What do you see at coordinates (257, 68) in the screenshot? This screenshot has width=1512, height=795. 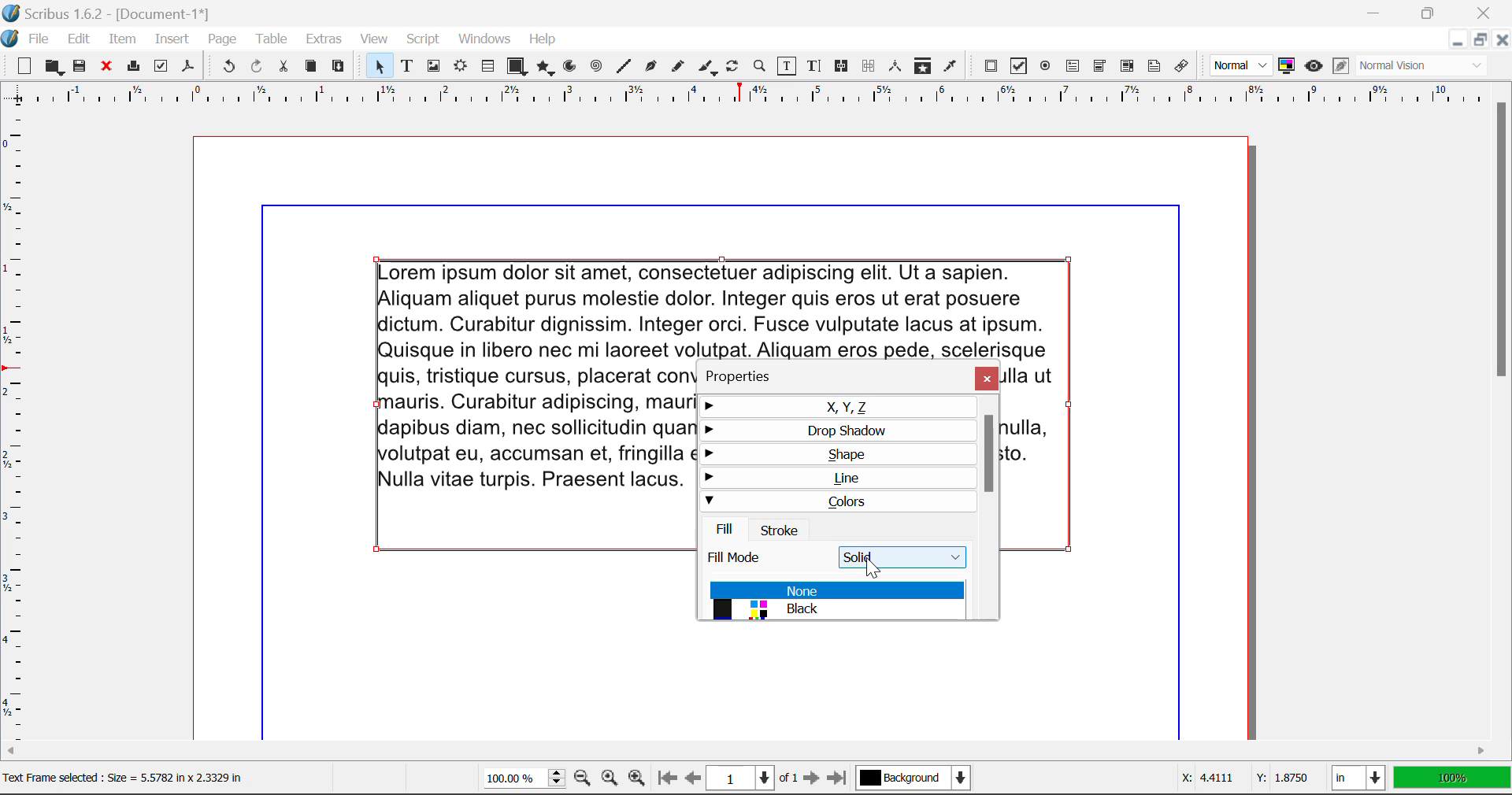 I see `Redo` at bounding box center [257, 68].